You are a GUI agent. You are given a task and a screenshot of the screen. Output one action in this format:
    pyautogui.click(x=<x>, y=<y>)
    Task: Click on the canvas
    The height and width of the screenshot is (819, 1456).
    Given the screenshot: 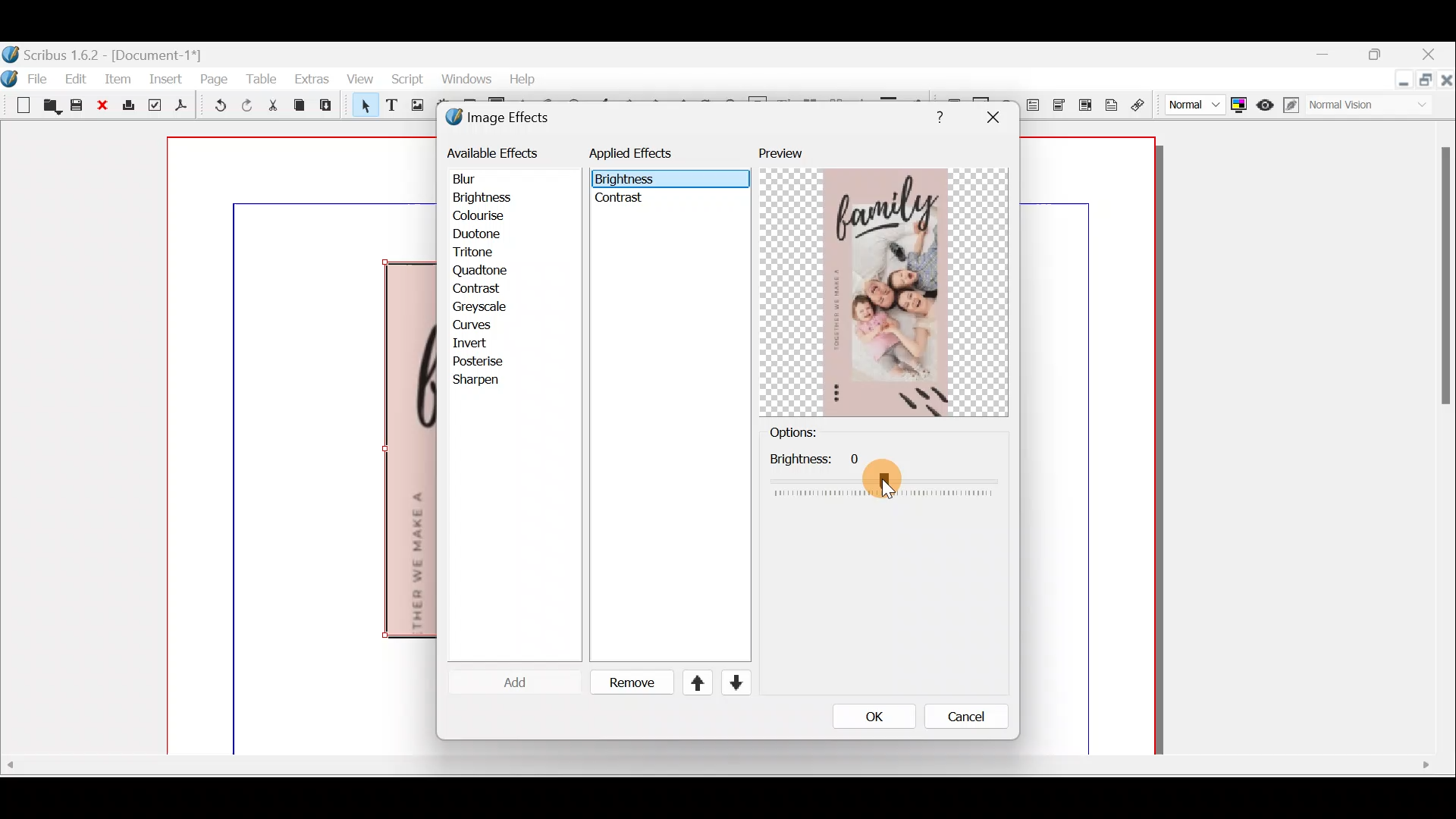 What is the action you would take?
    pyautogui.click(x=1089, y=447)
    